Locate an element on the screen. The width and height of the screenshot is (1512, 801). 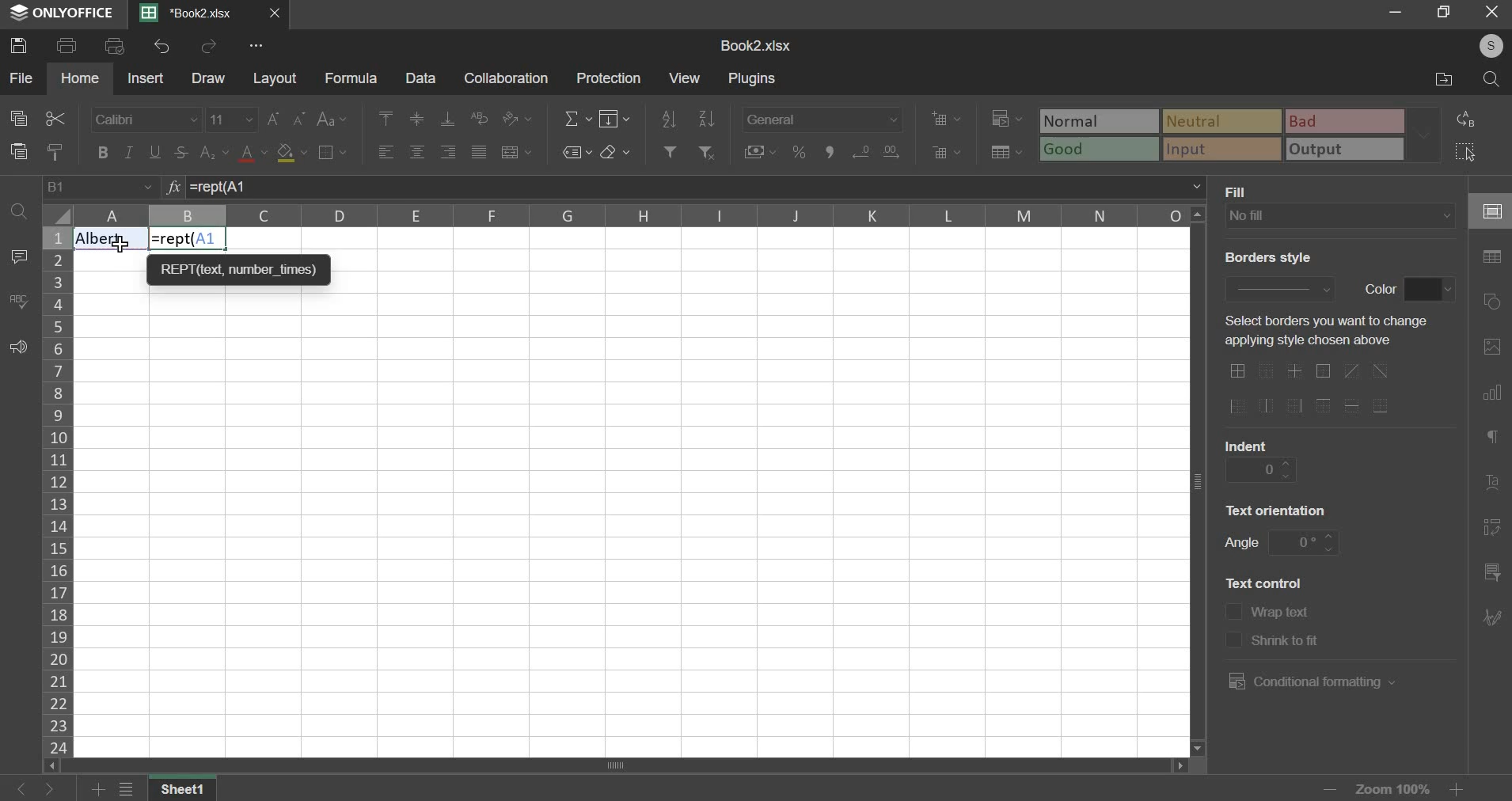
angle is located at coordinates (1305, 544).